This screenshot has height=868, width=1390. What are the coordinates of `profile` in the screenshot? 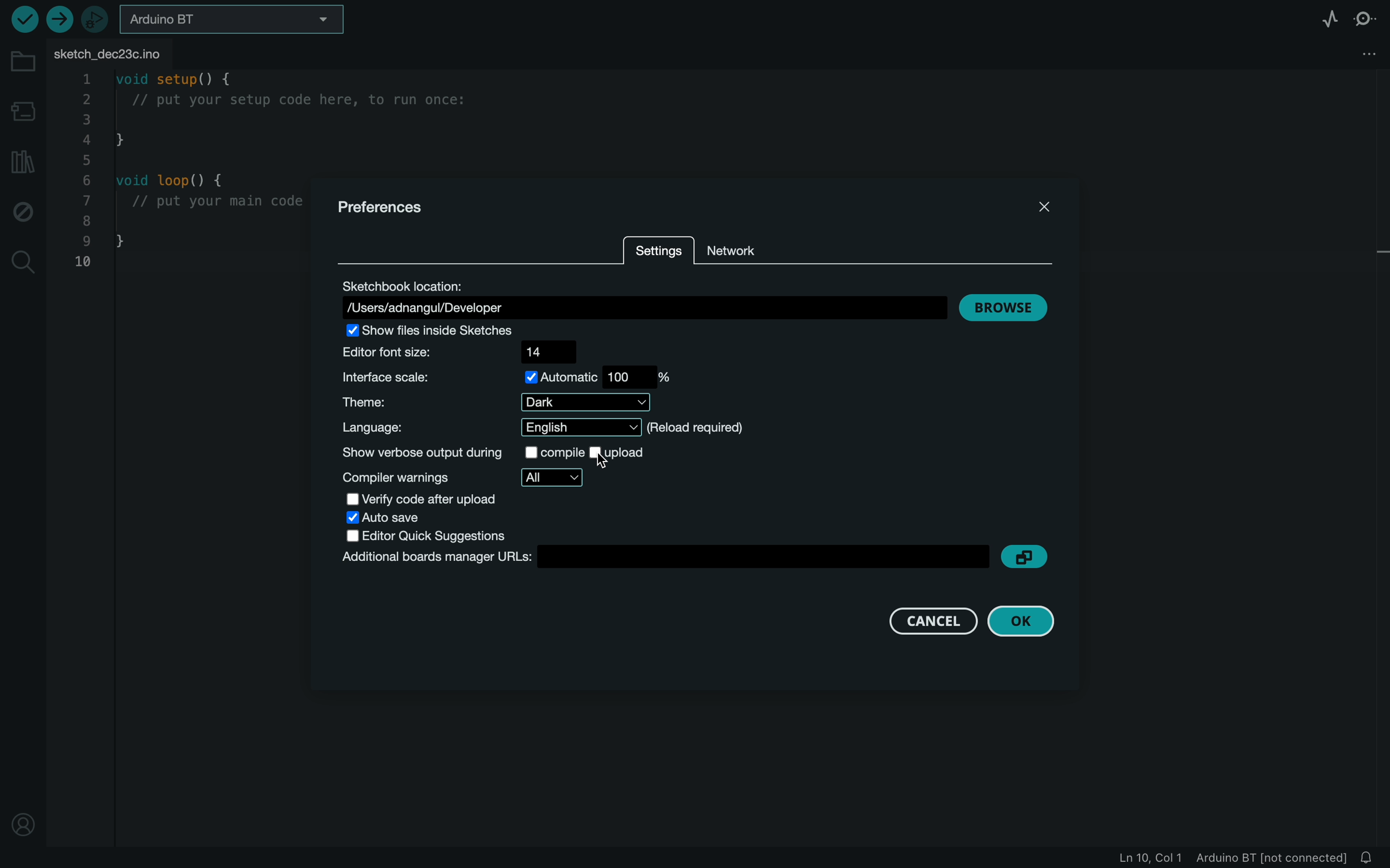 It's located at (24, 820).